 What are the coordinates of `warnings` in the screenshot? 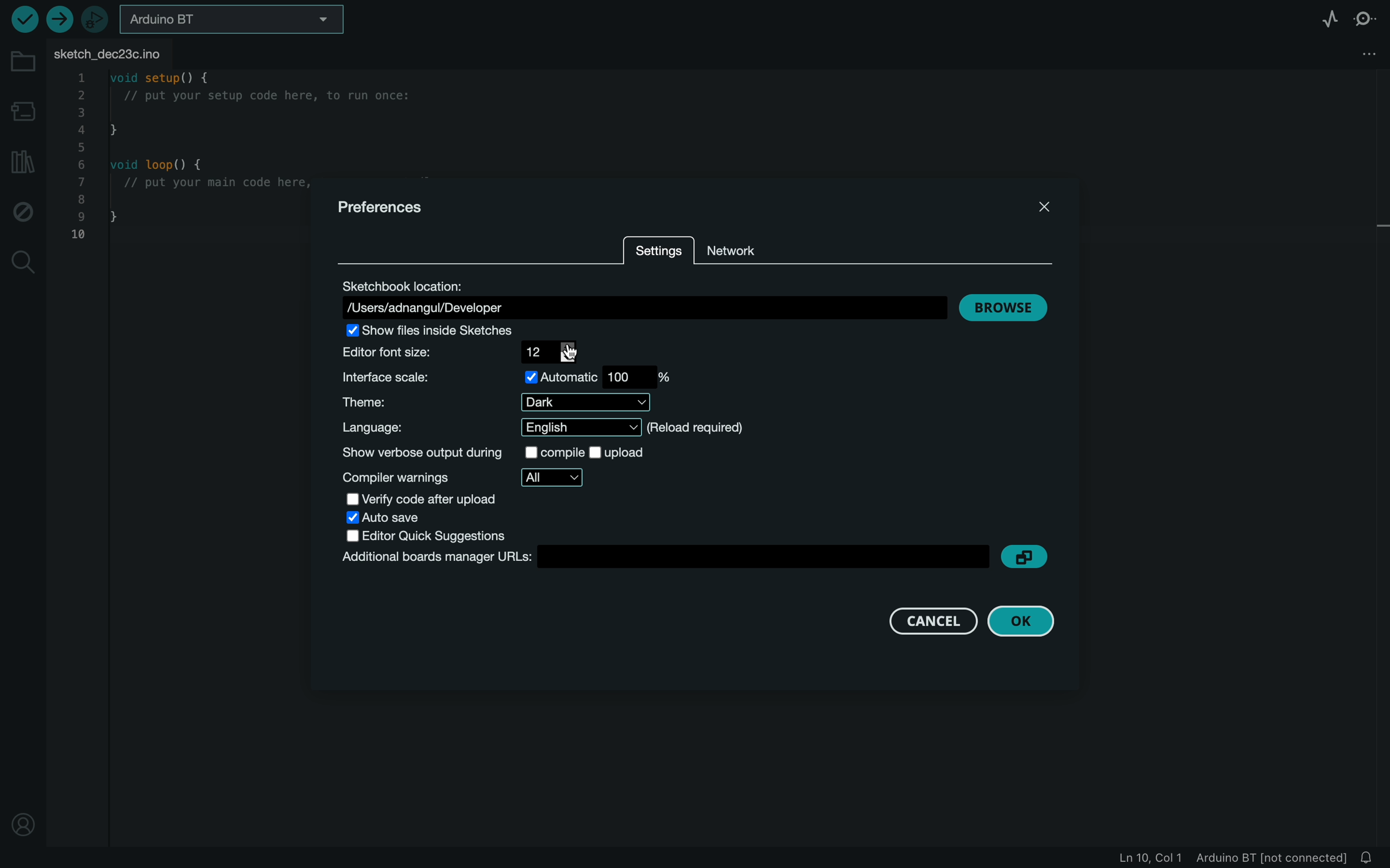 It's located at (471, 478).